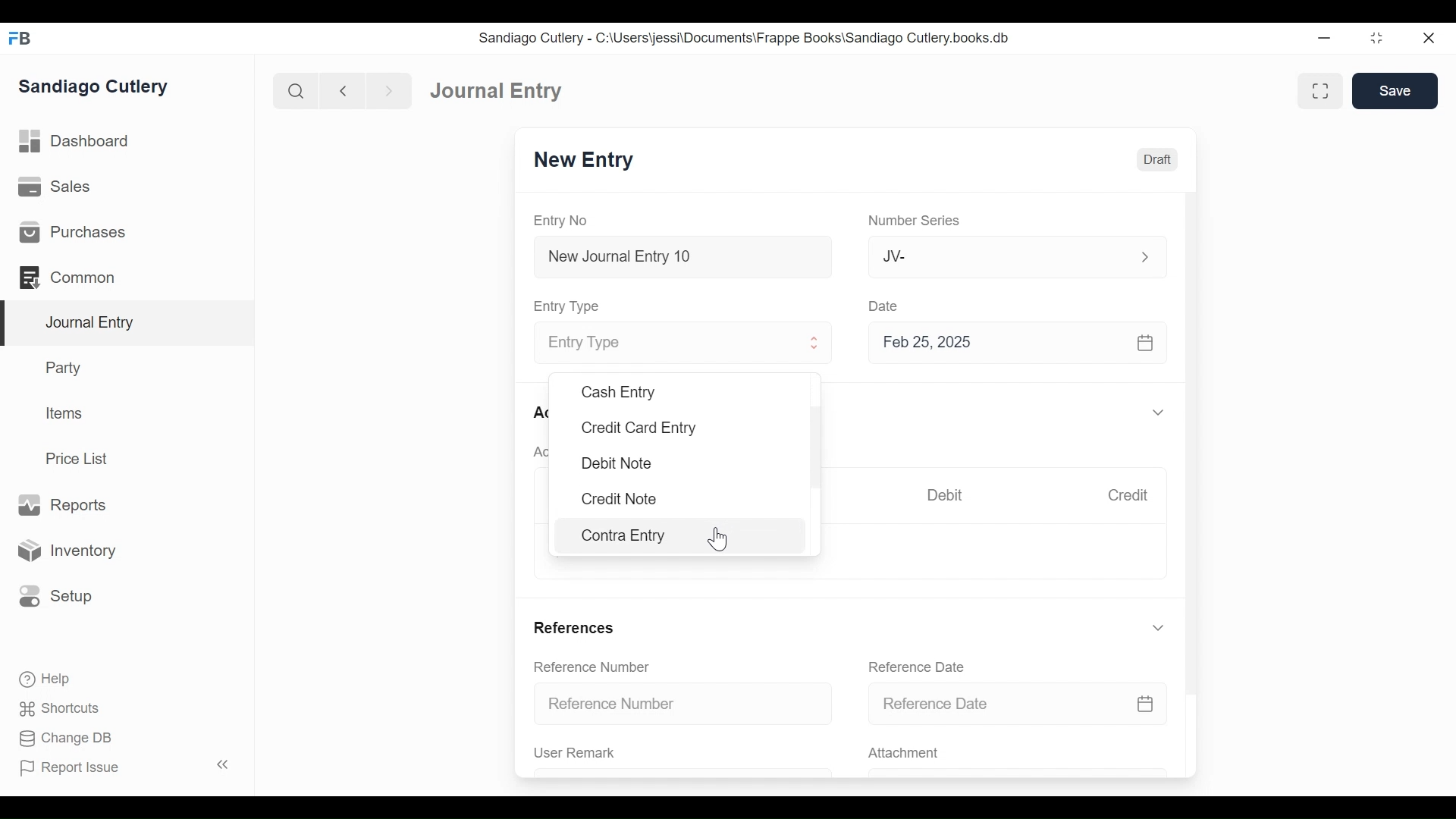 The image size is (1456, 819). What do you see at coordinates (1144, 256) in the screenshot?
I see `Expand` at bounding box center [1144, 256].